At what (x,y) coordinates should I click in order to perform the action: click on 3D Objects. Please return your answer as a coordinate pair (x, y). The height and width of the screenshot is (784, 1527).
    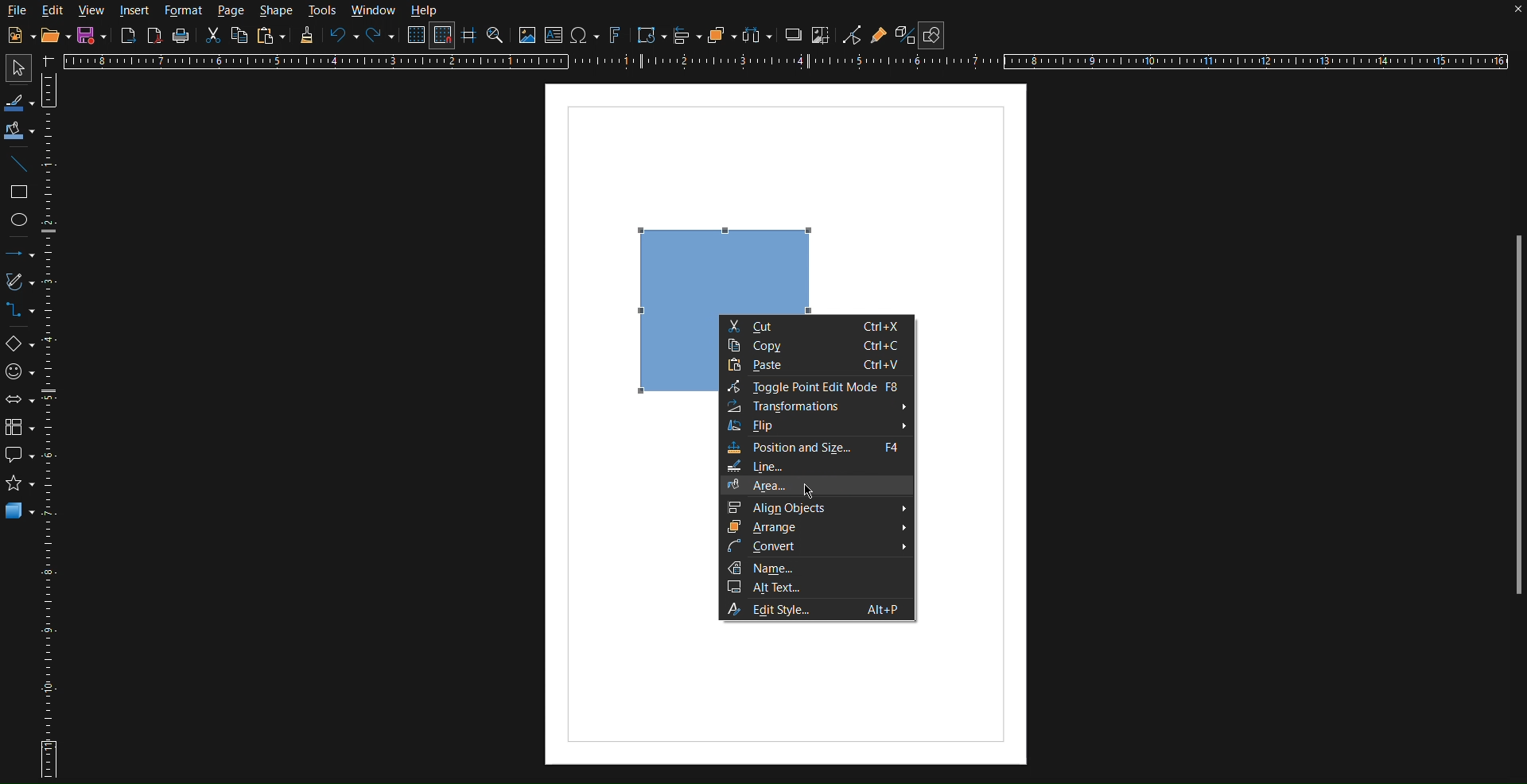
    Looking at the image, I should click on (20, 514).